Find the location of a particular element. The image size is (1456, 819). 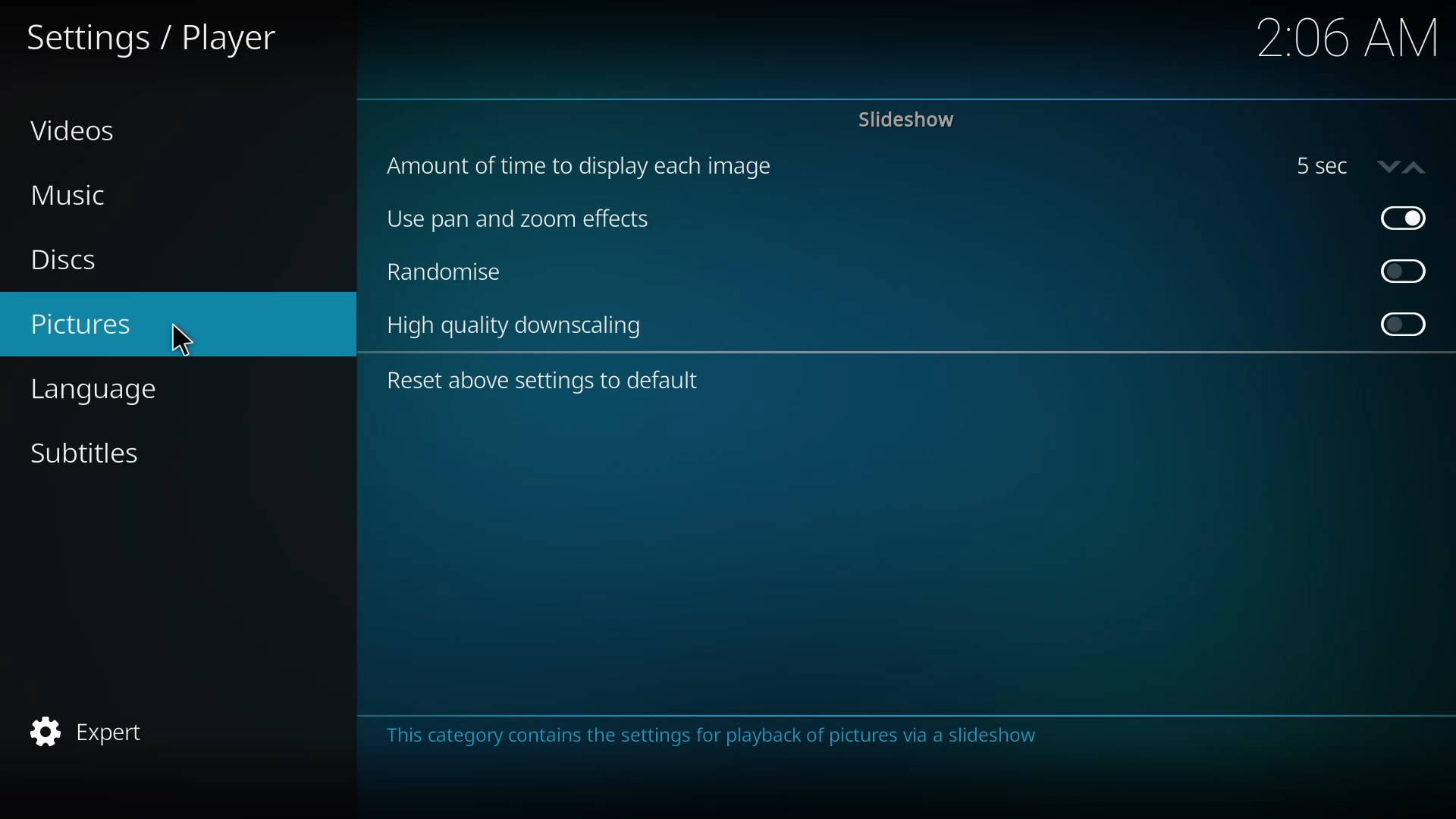

pictures is located at coordinates (80, 322).